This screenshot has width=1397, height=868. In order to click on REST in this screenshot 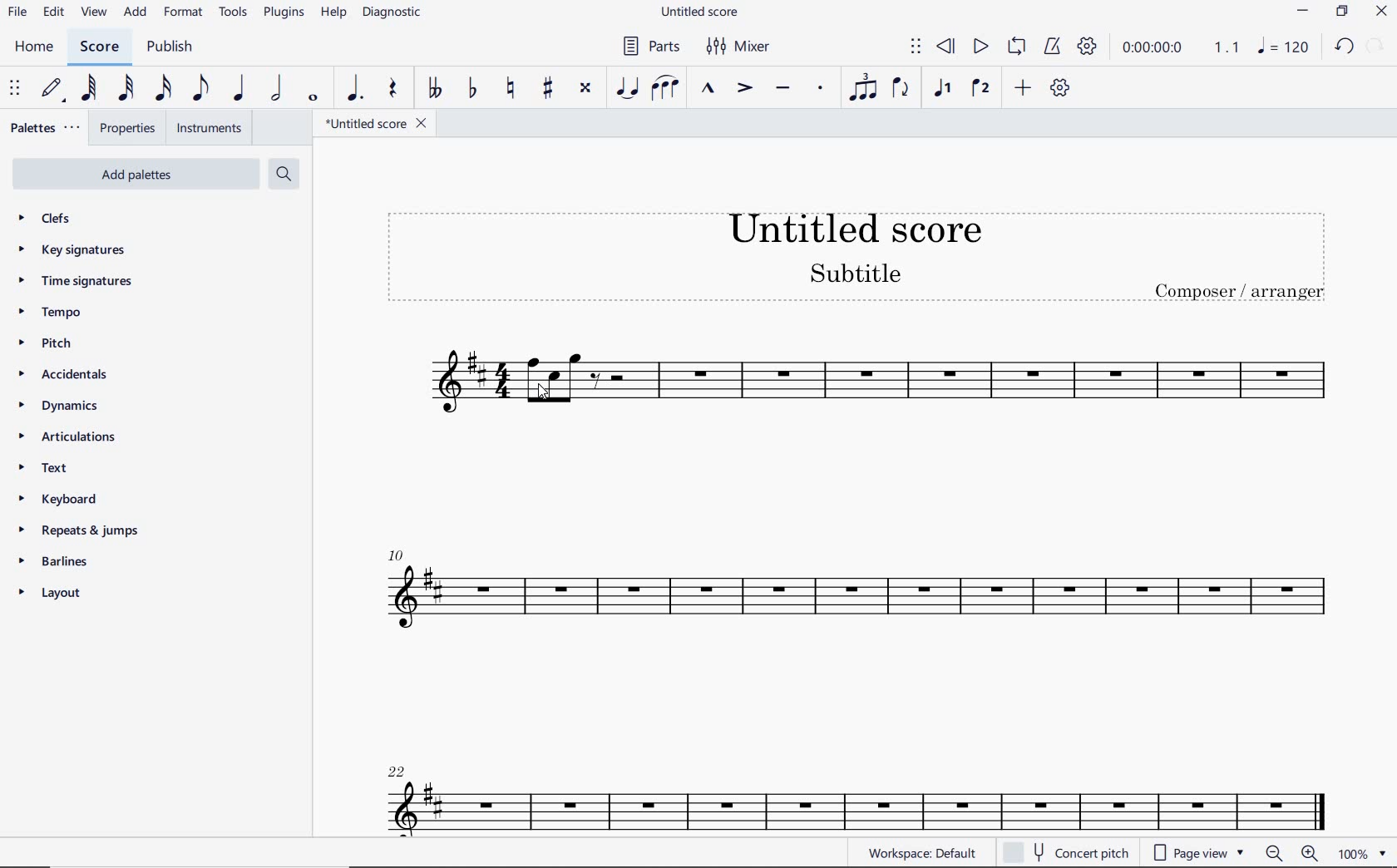, I will do `click(391, 90)`.